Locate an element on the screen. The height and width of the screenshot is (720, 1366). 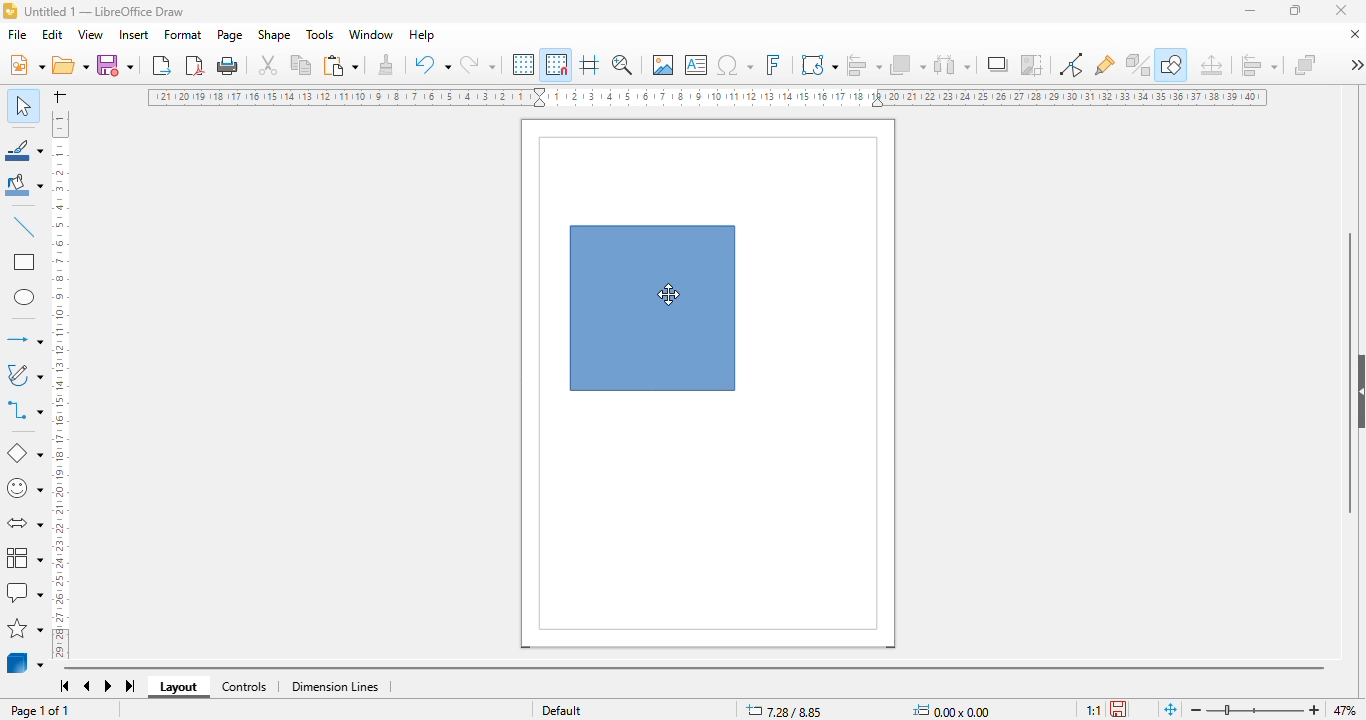
display grid is located at coordinates (524, 64).